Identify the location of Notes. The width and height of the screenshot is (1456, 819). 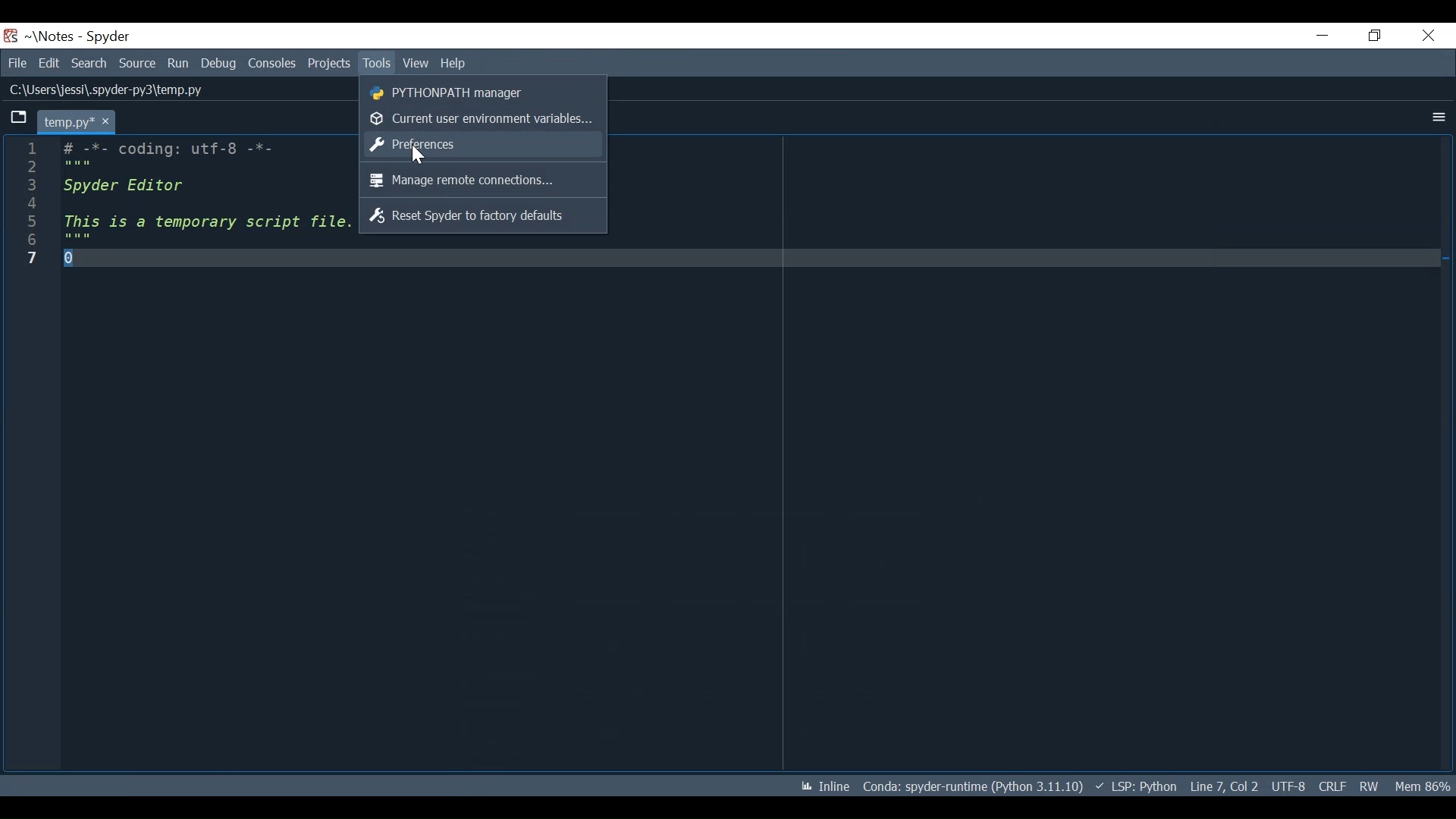
(46, 36).